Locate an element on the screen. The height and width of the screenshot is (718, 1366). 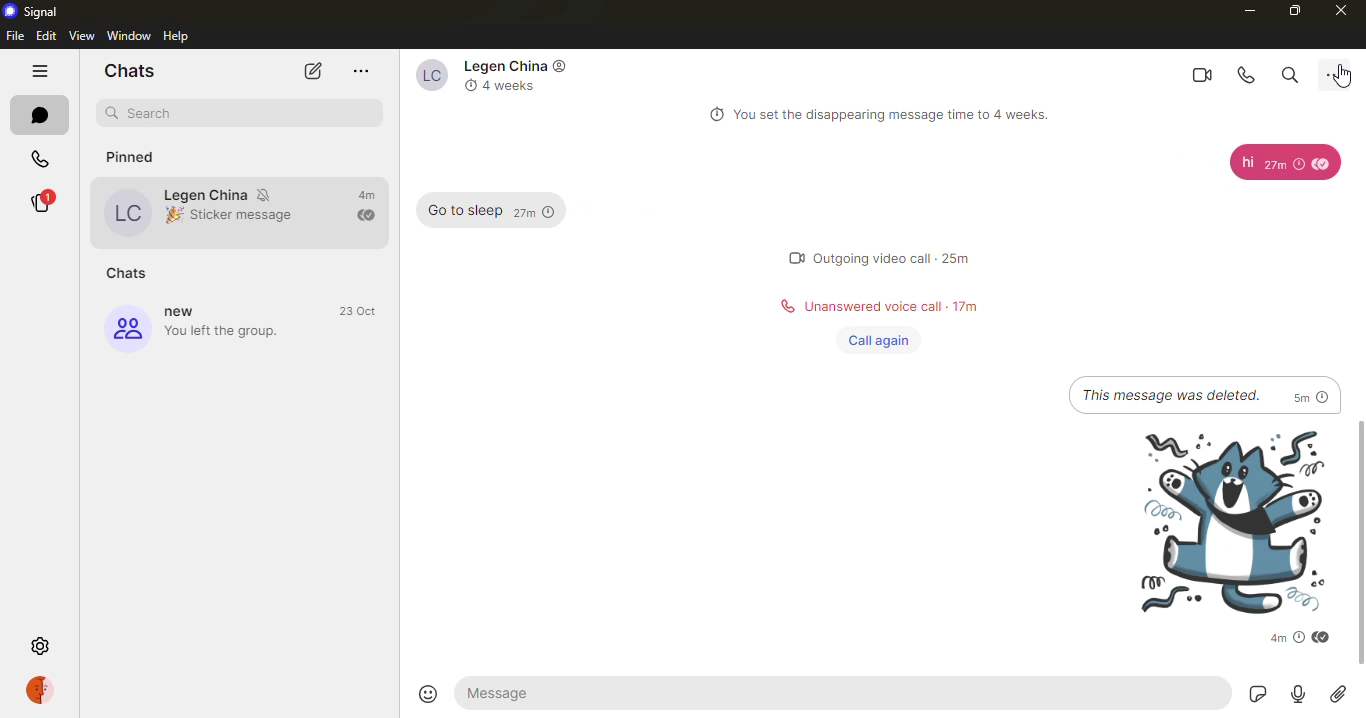
Outgoing video call is located at coordinates (873, 259).